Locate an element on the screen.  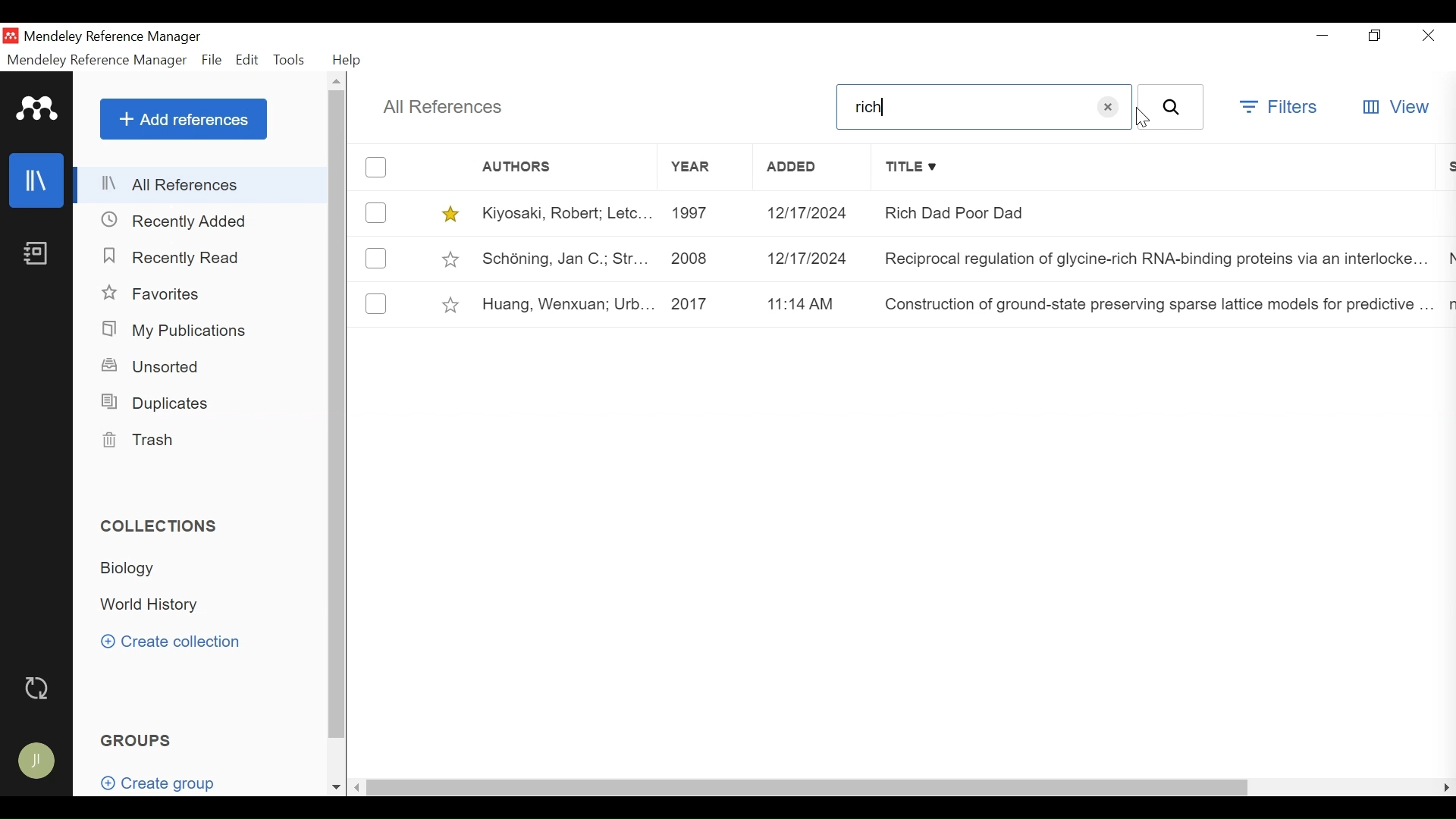
Create Collections is located at coordinates (174, 643).